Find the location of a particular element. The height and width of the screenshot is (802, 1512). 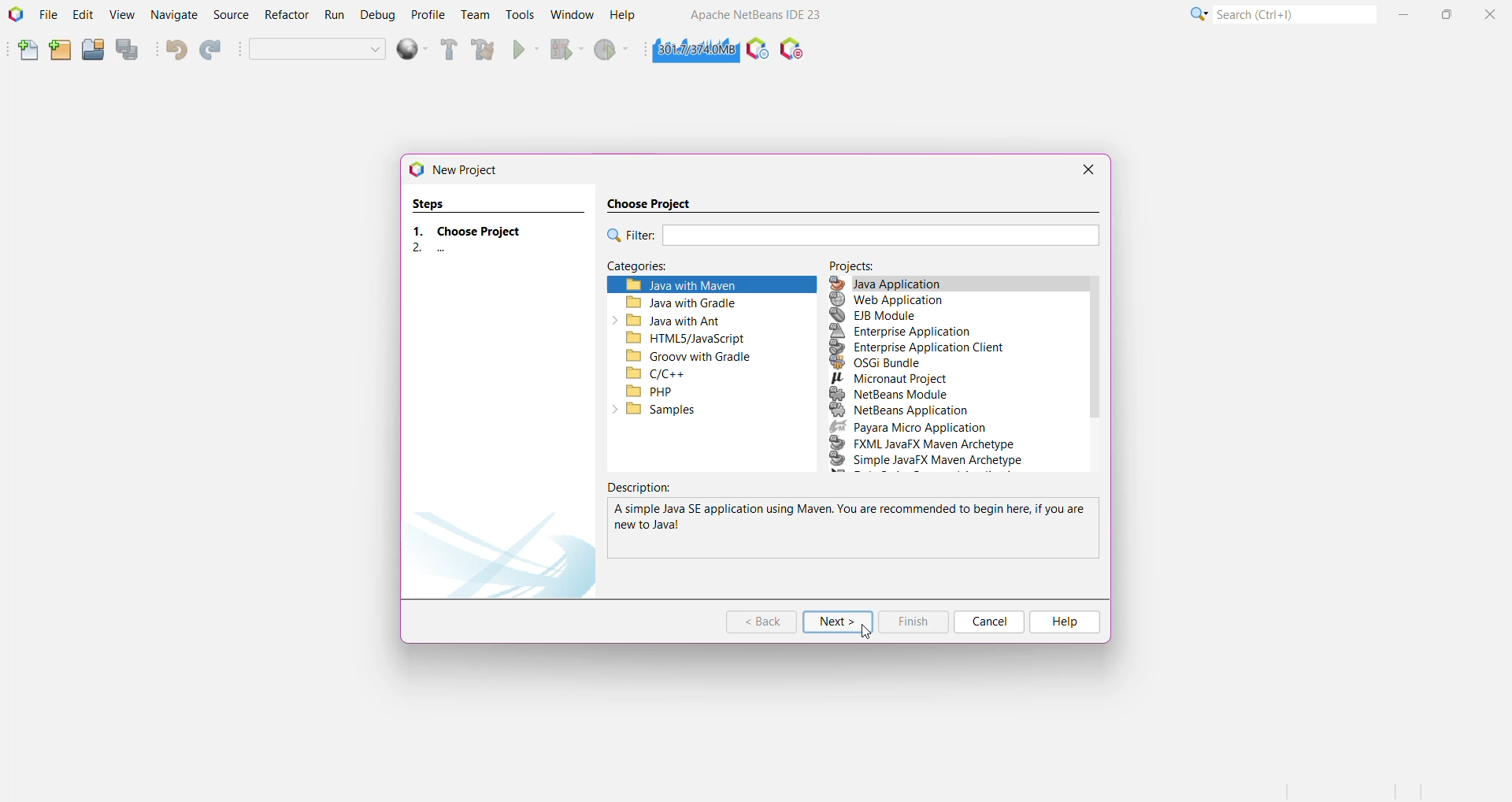

Team is located at coordinates (475, 16).